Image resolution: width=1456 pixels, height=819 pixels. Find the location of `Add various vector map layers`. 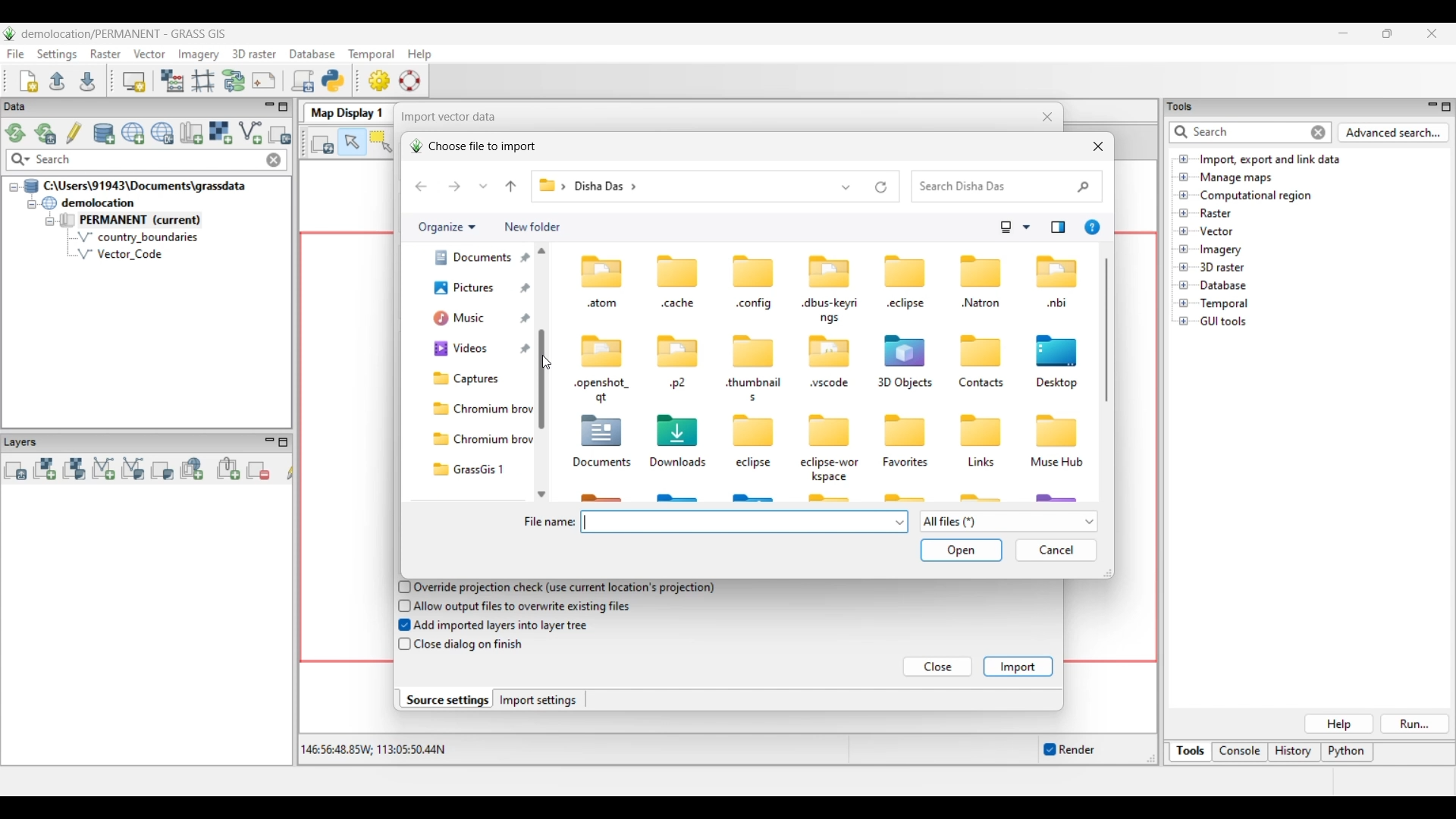

Add various vector map layers is located at coordinates (133, 469).